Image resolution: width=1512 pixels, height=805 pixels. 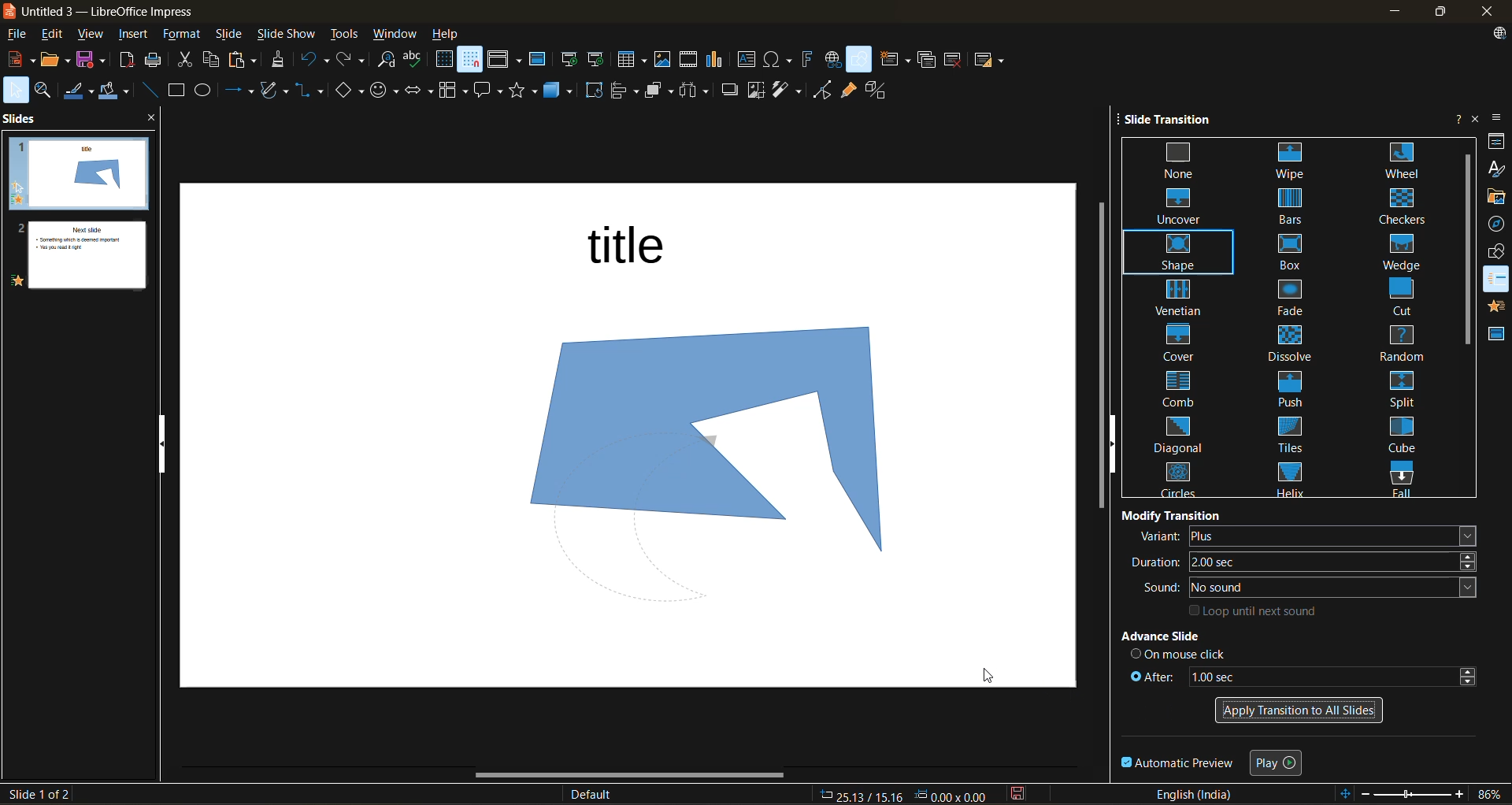 I want to click on image, so click(x=691, y=440).